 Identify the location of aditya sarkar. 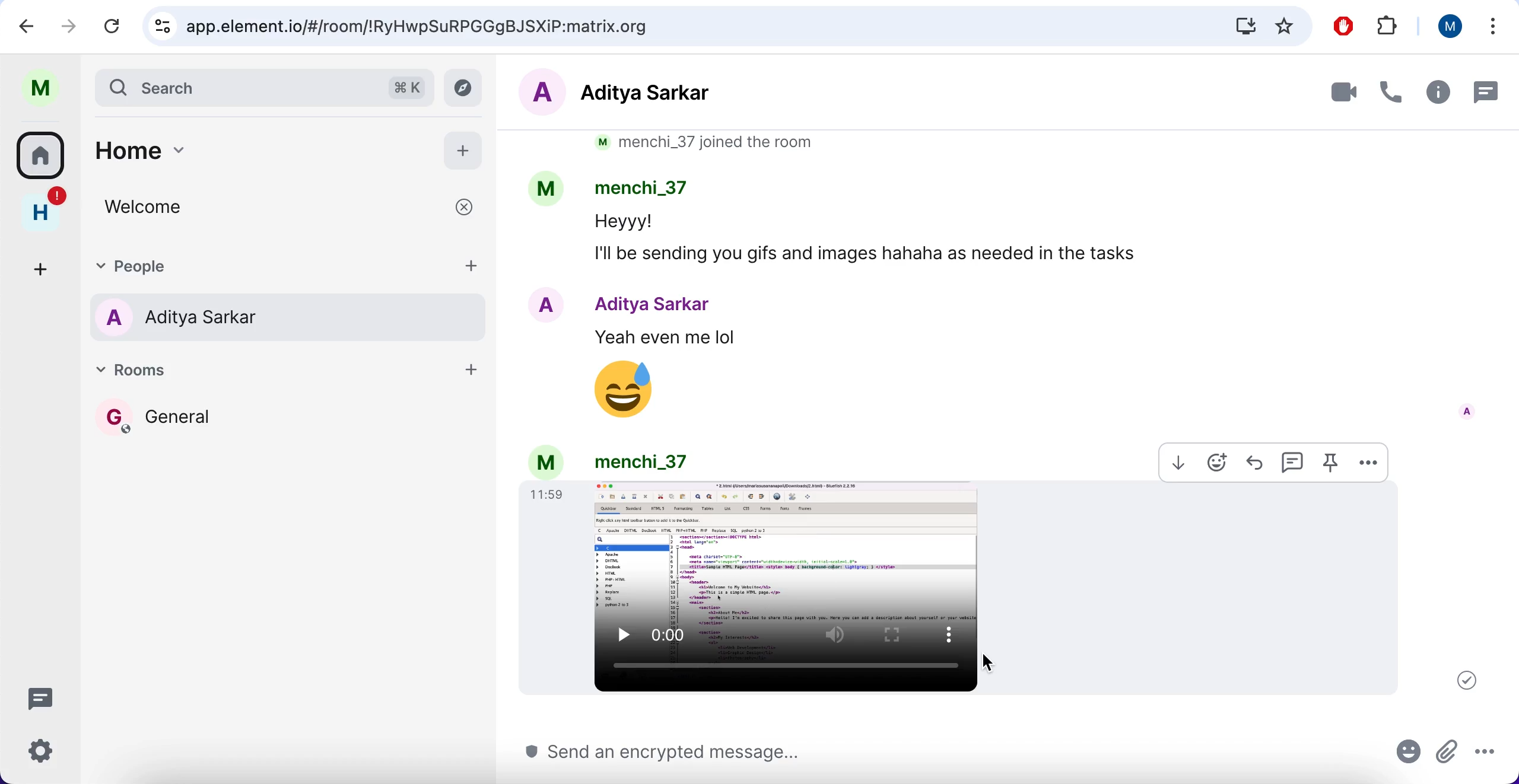
(286, 320).